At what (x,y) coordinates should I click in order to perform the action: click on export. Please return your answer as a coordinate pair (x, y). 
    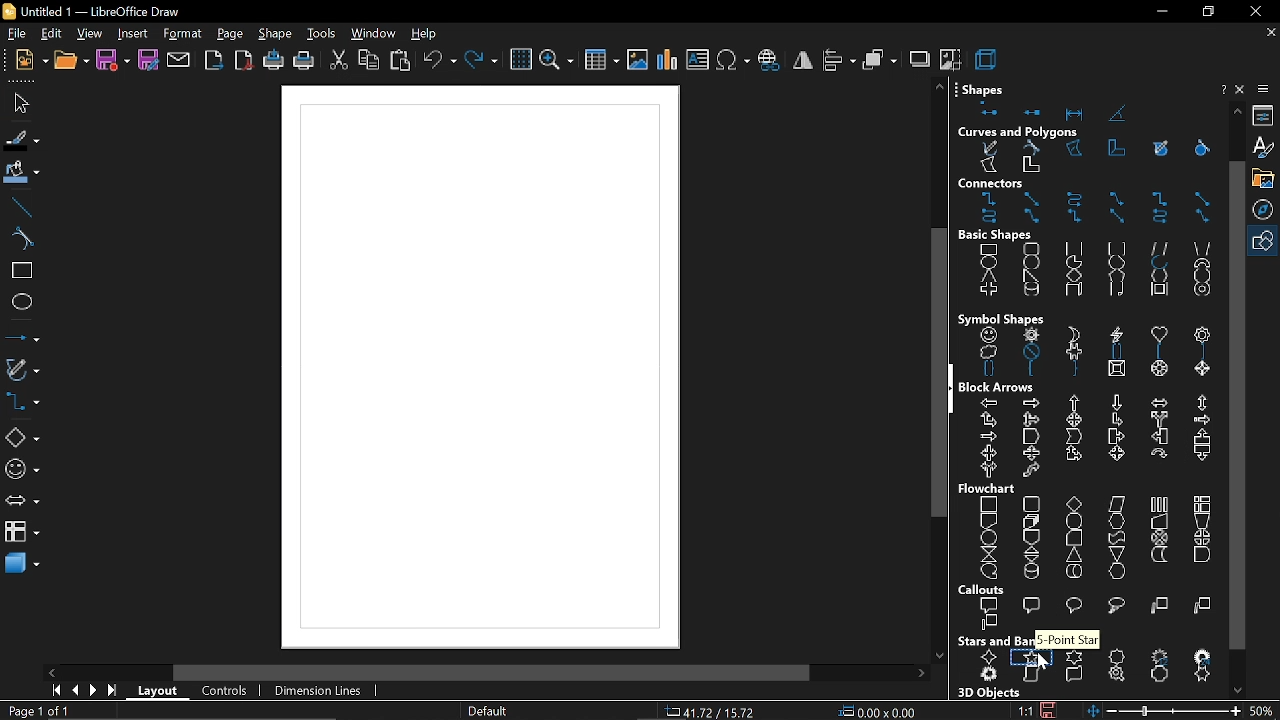
    Looking at the image, I should click on (212, 62).